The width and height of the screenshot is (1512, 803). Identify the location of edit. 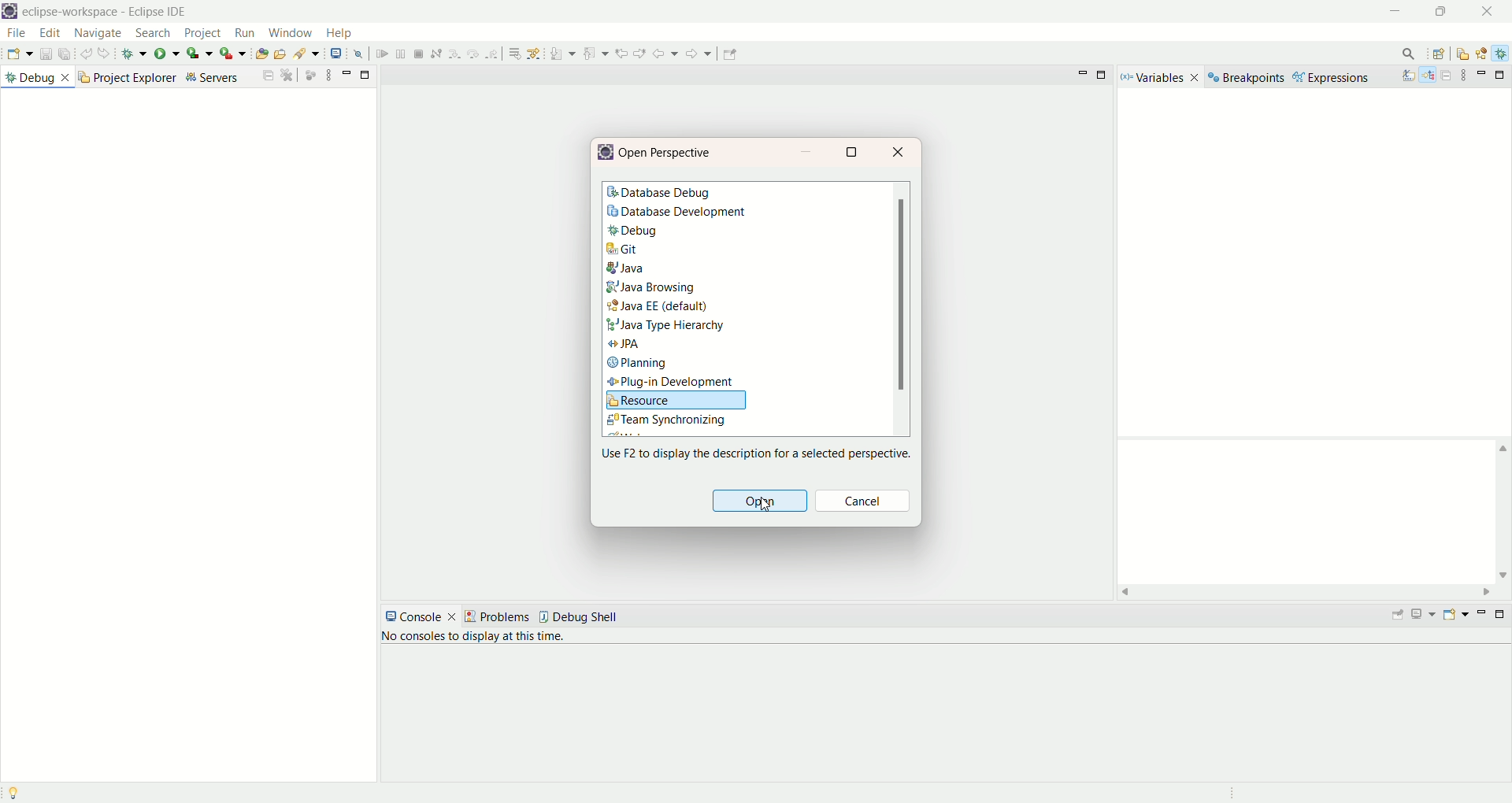
(48, 34).